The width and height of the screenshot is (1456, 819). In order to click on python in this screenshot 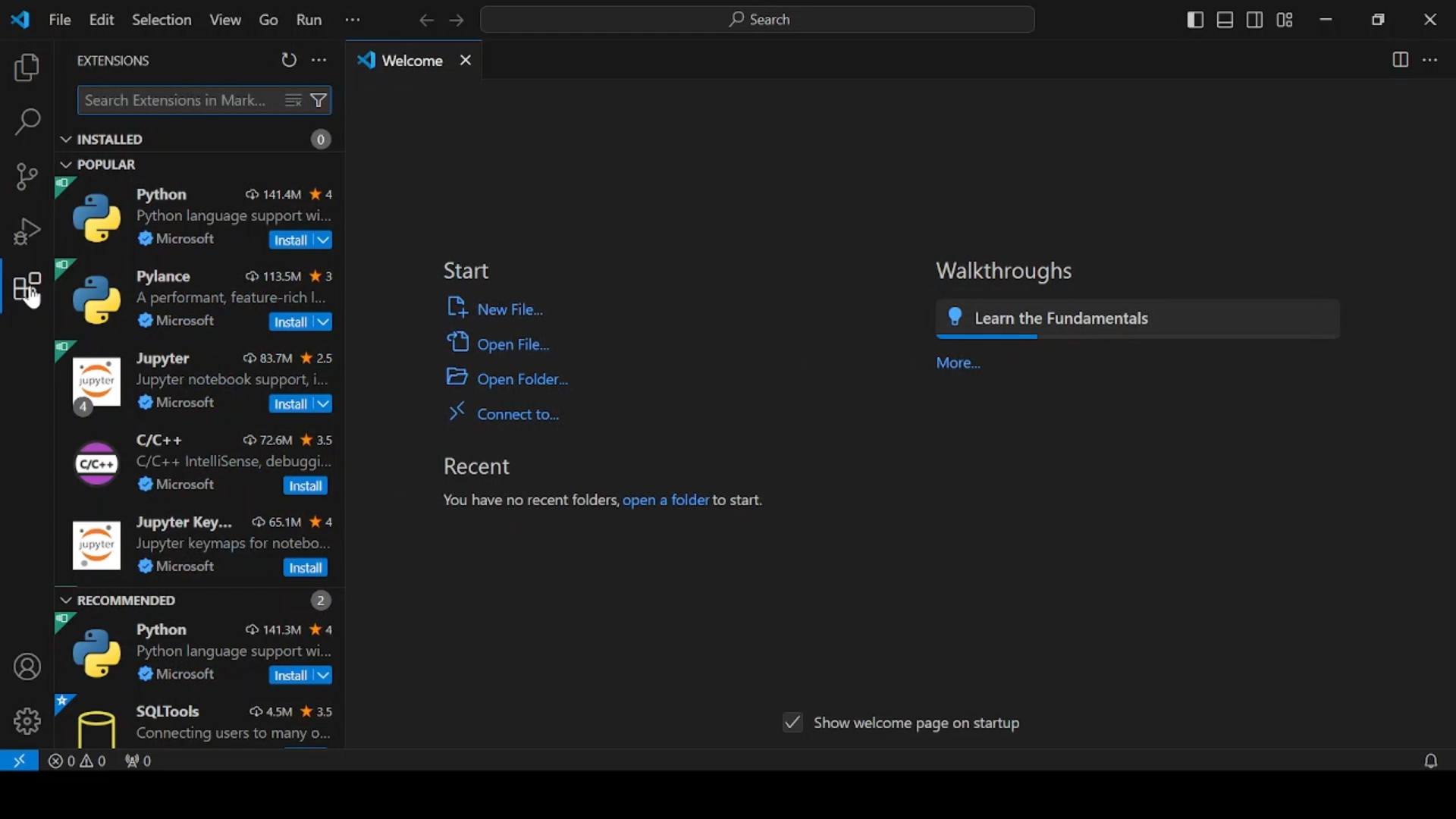, I will do `click(199, 214)`.